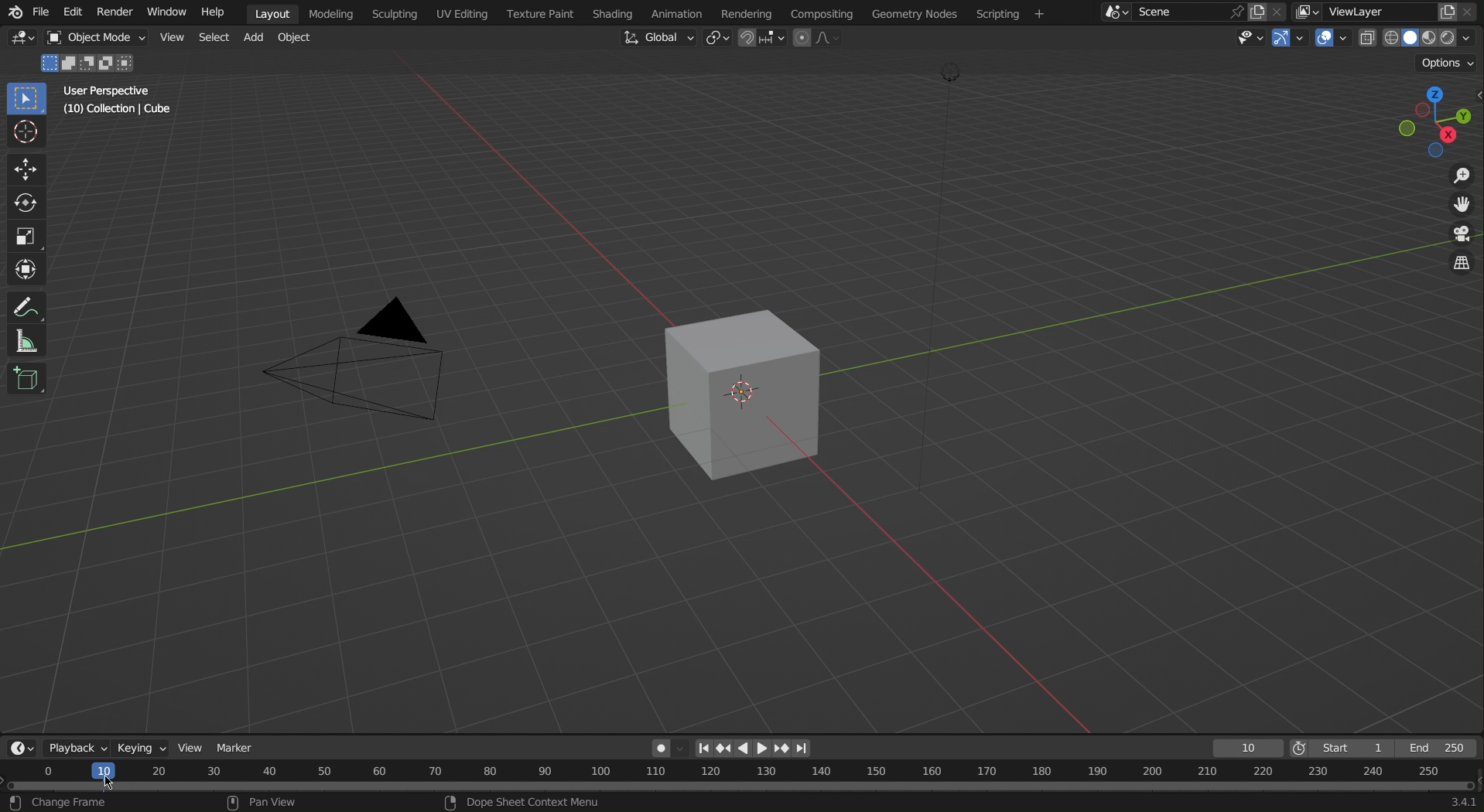 Image resolution: width=1484 pixels, height=812 pixels. What do you see at coordinates (742, 788) in the screenshot?
I see `Timeline` at bounding box center [742, 788].